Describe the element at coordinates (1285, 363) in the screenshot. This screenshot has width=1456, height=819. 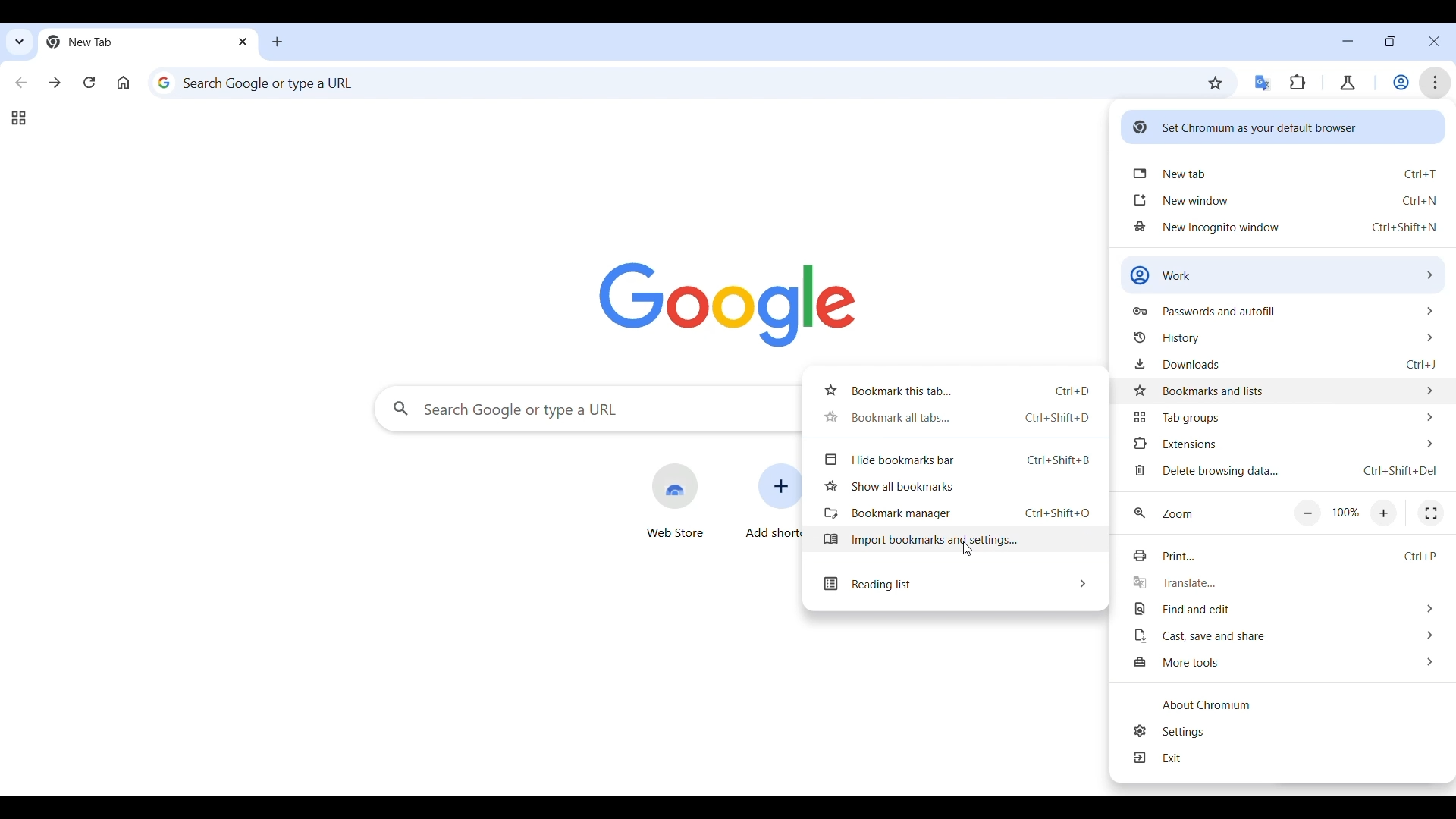
I see `Downloads` at that location.